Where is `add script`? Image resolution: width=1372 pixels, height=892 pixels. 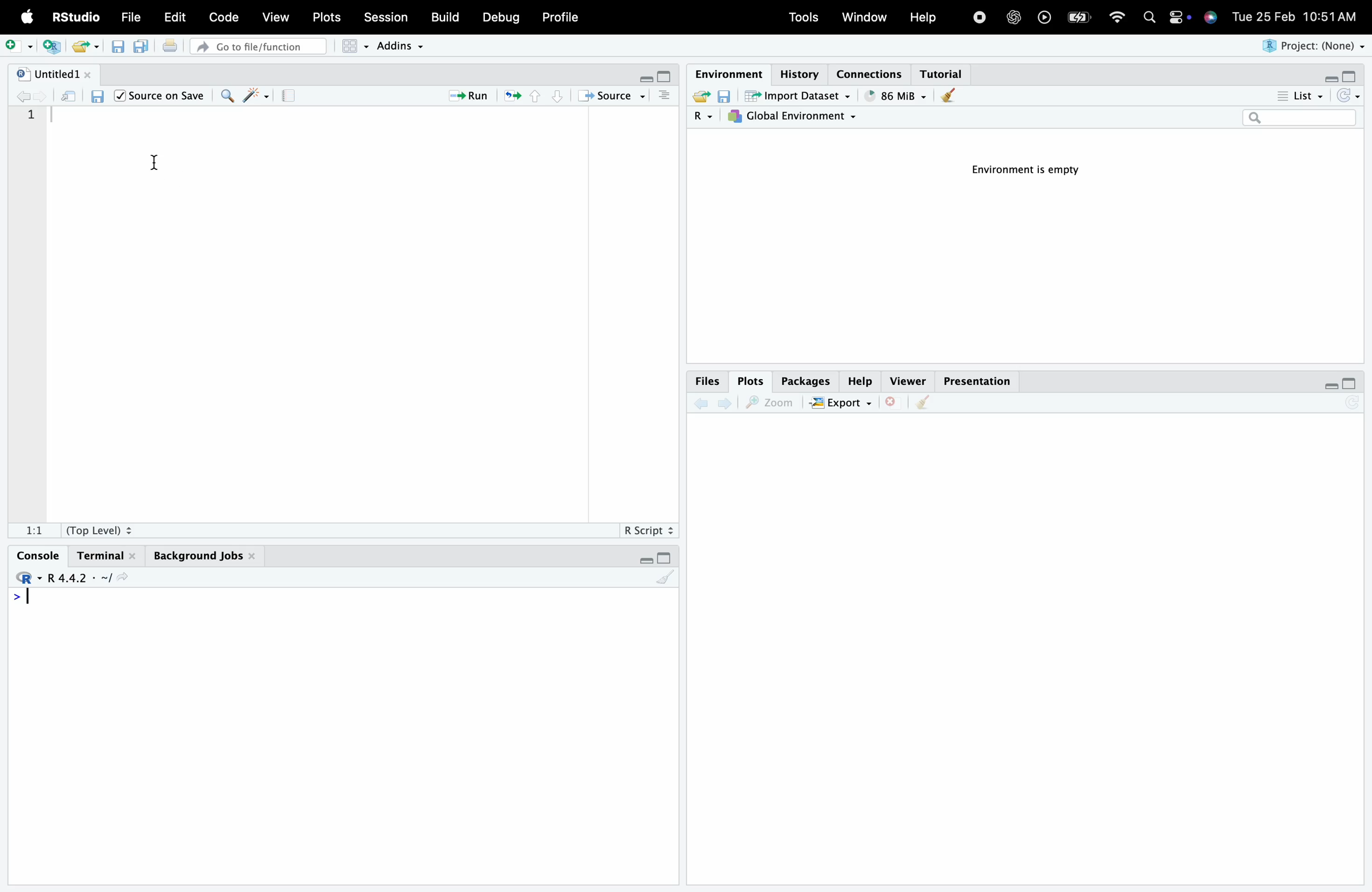 add script is located at coordinates (18, 43).